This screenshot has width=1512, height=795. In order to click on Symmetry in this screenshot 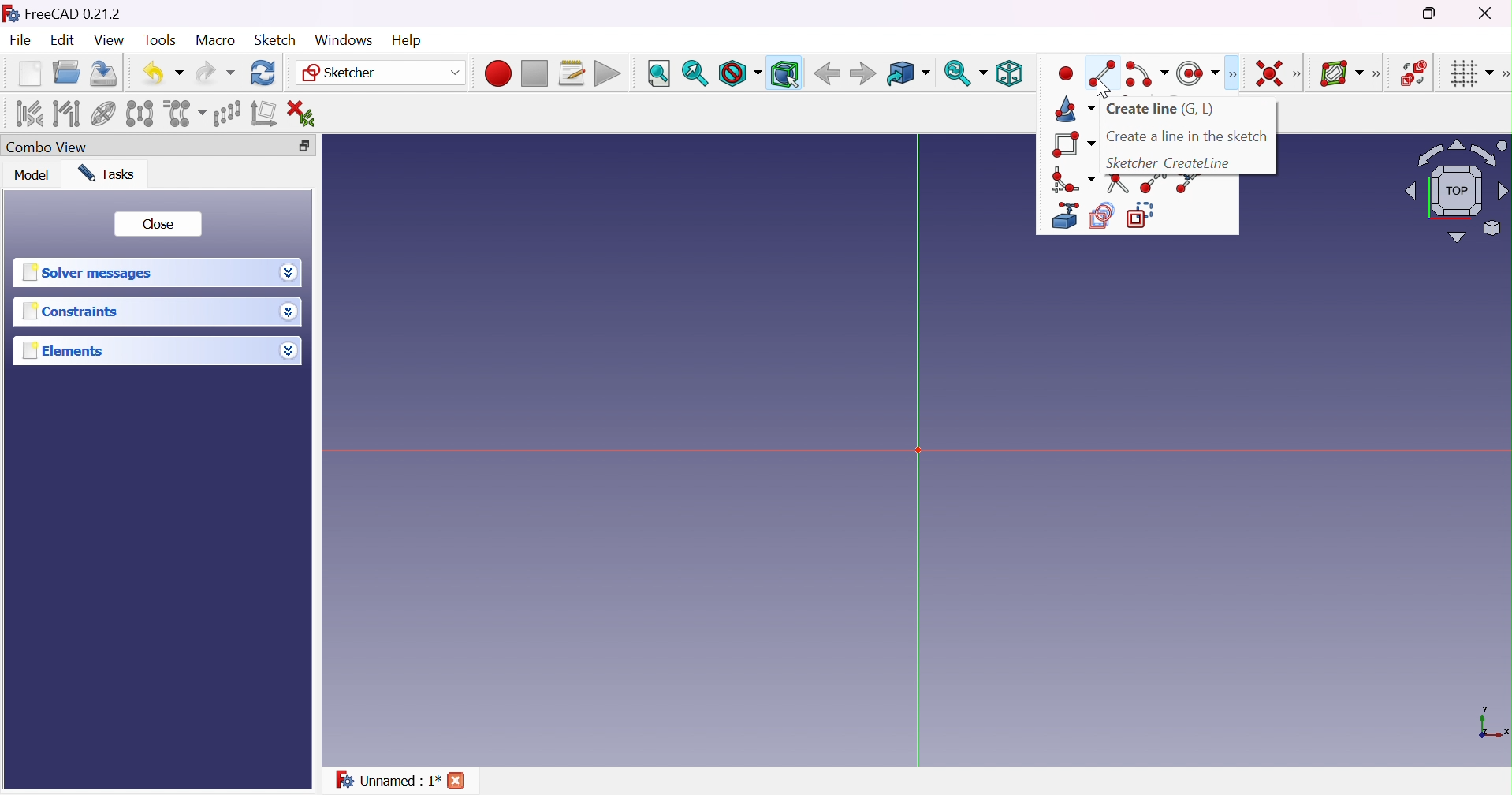, I will do `click(139, 114)`.